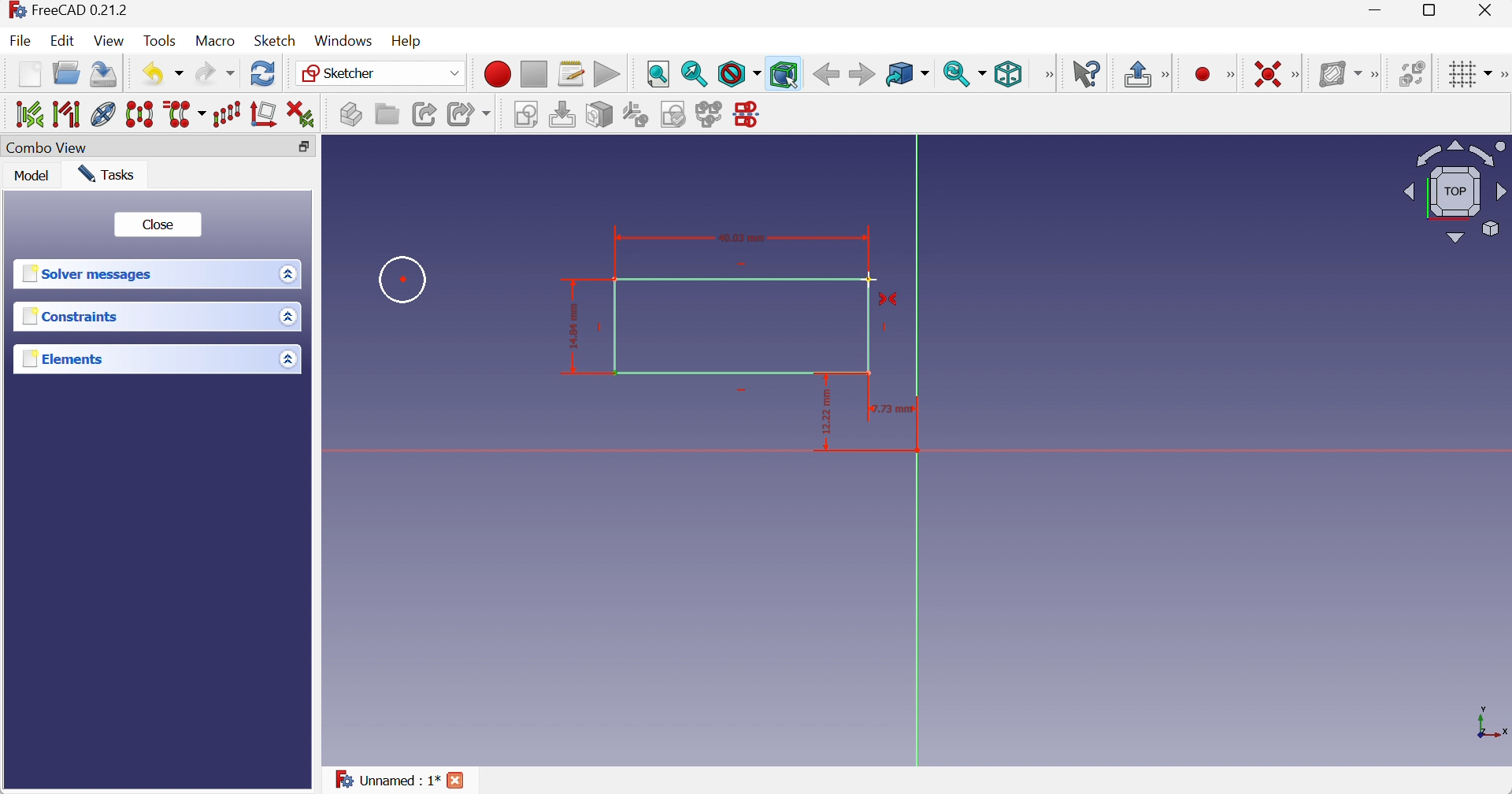  What do you see at coordinates (565, 115) in the screenshot?
I see `Edit sketch` at bounding box center [565, 115].